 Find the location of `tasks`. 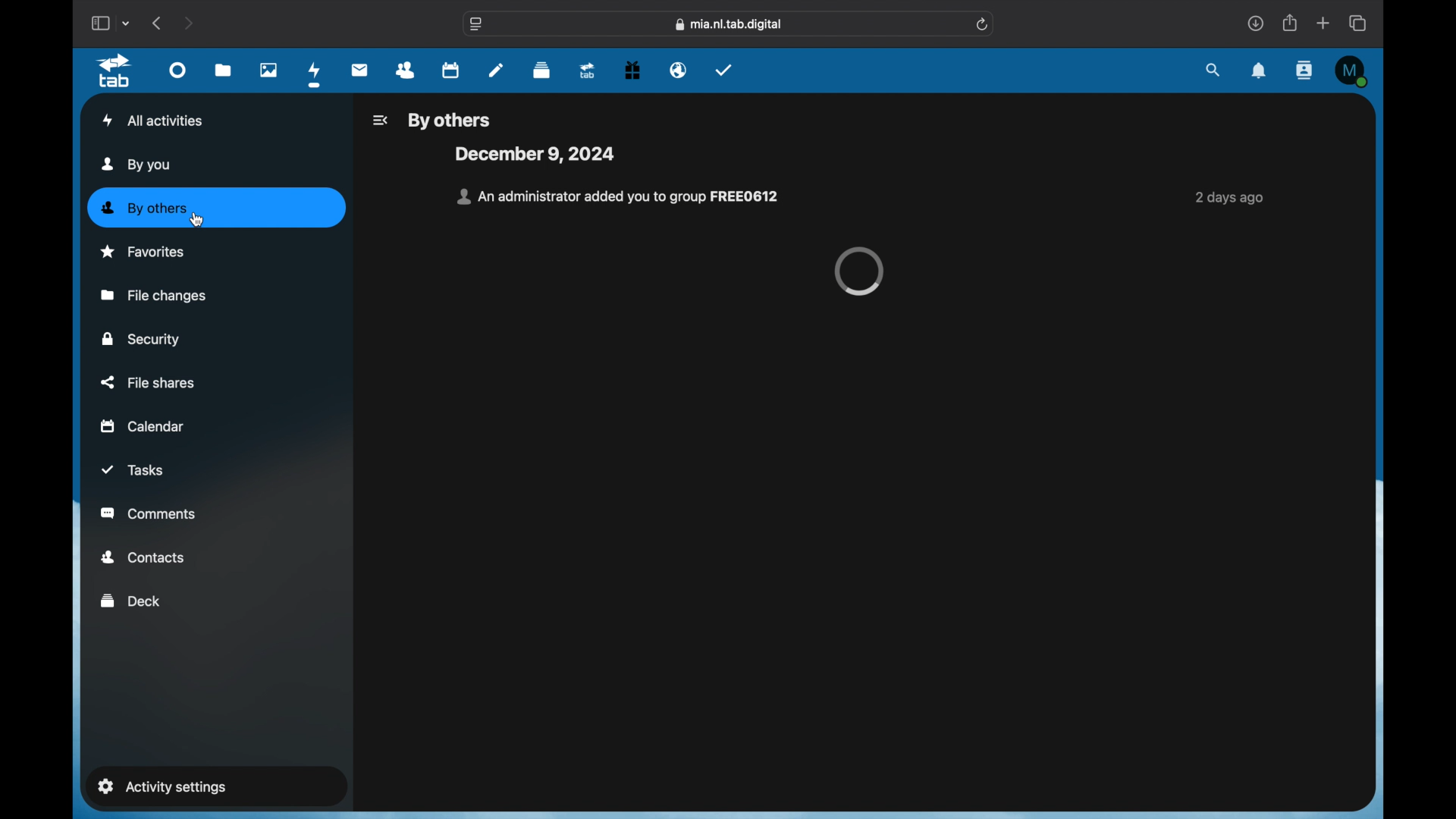

tasks is located at coordinates (724, 70).